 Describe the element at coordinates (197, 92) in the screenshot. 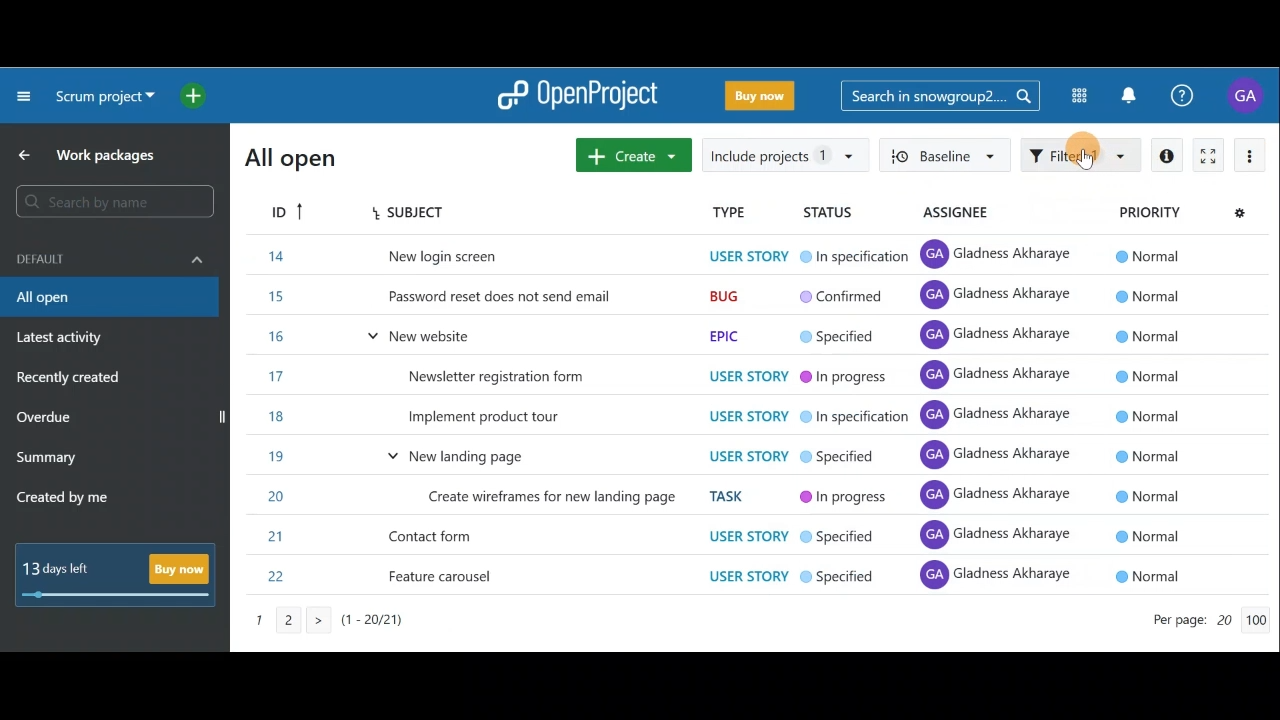

I see `Open quick add menu` at that location.